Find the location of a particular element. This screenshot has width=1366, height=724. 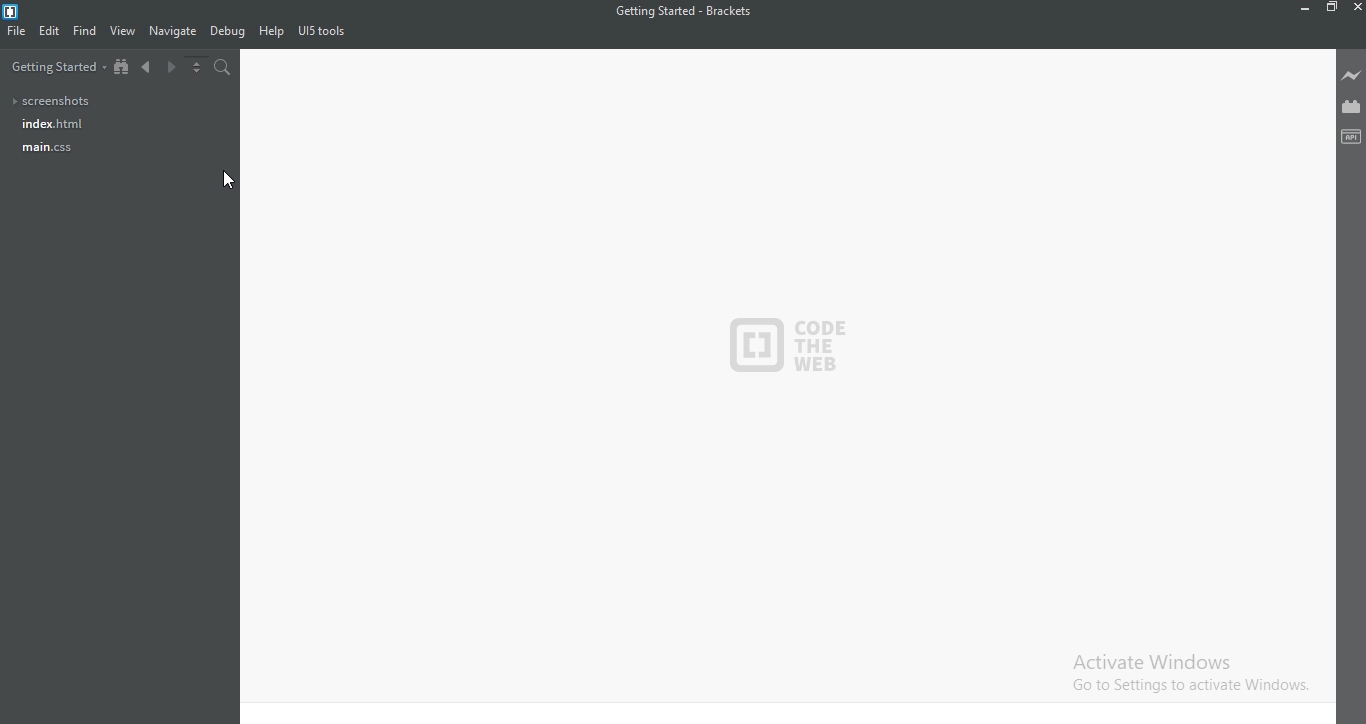

main.css is located at coordinates (47, 150).